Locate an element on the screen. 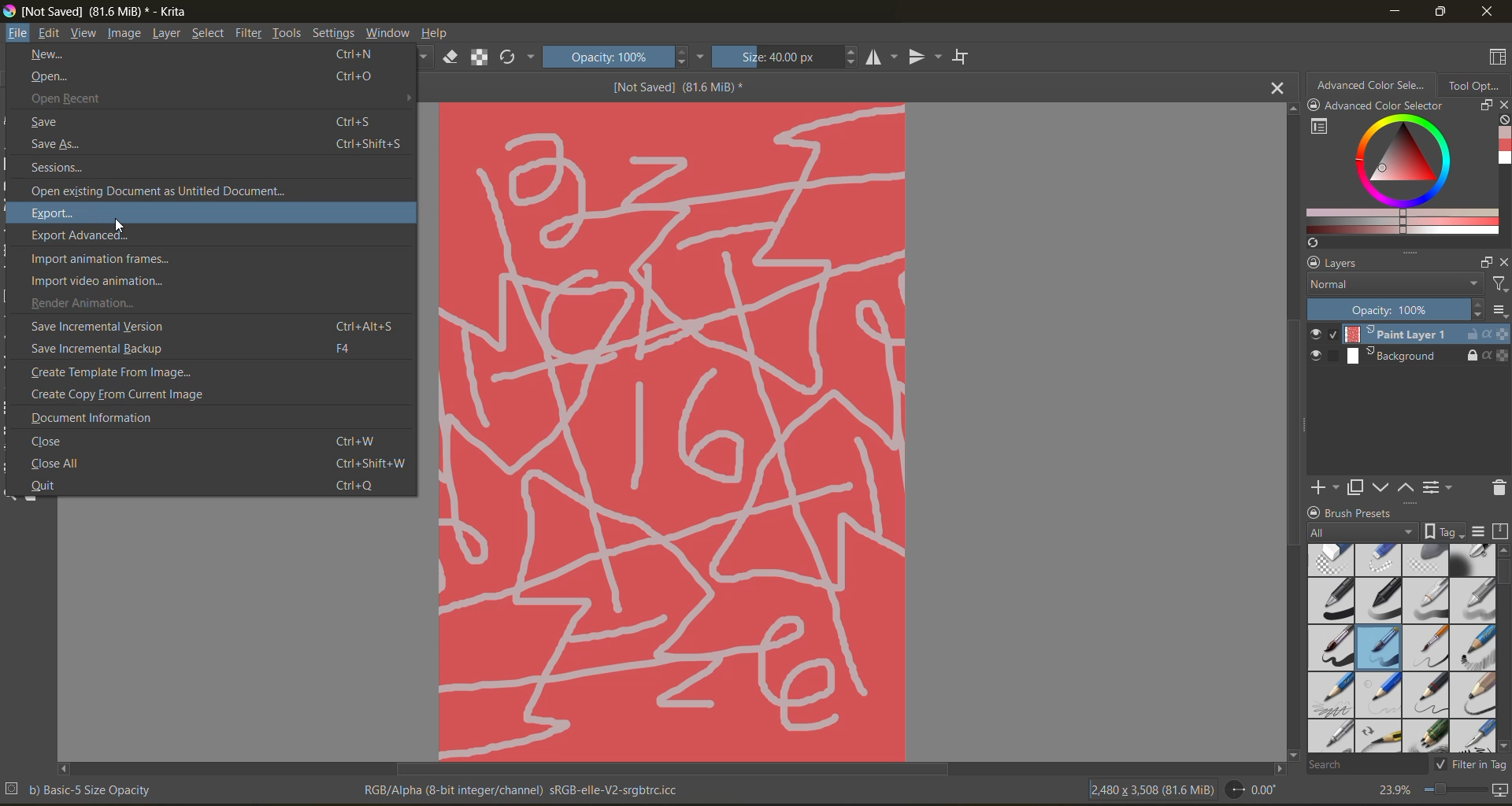  select is located at coordinates (206, 34).